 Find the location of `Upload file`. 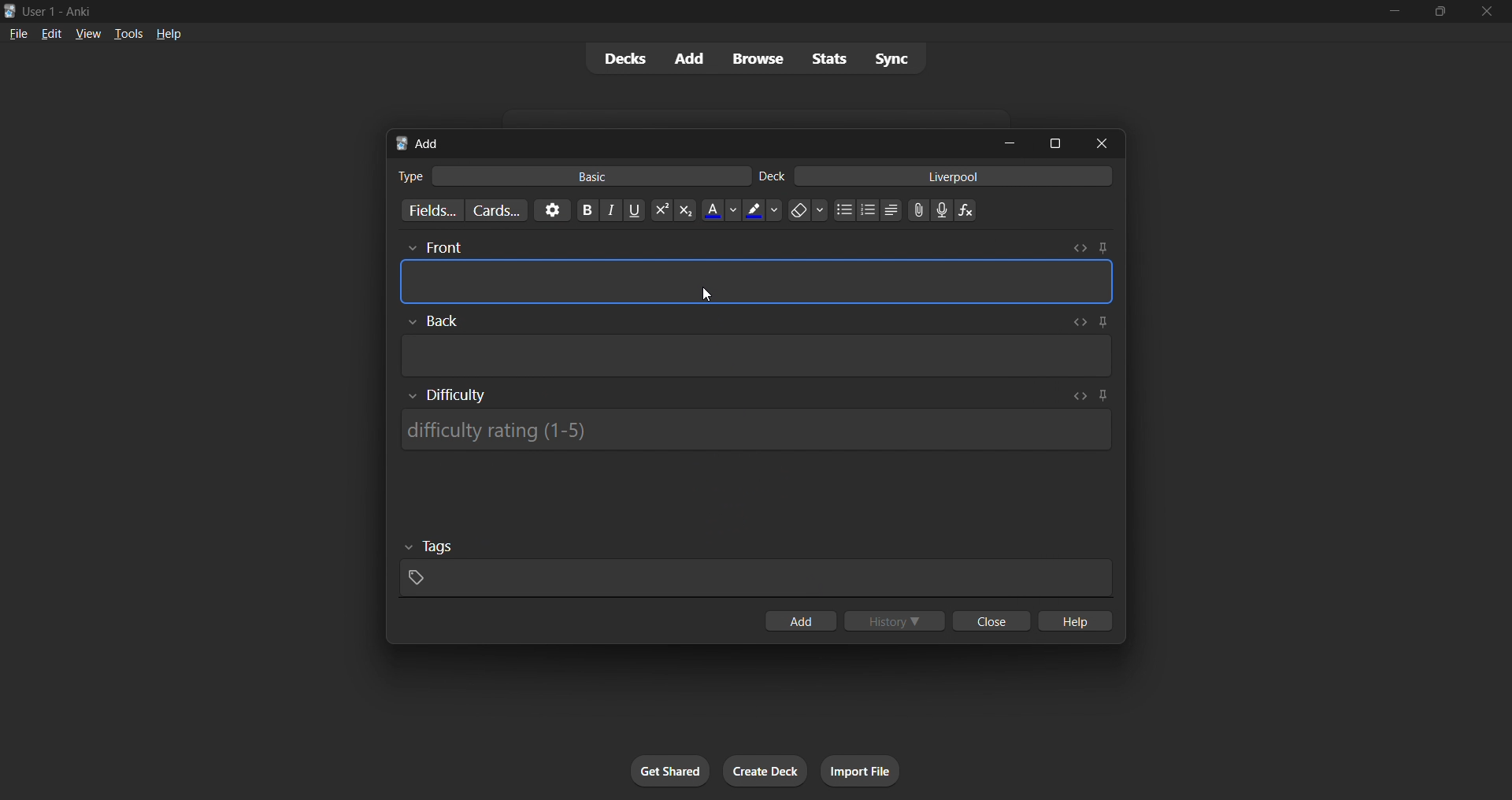

Upload file is located at coordinates (919, 210).